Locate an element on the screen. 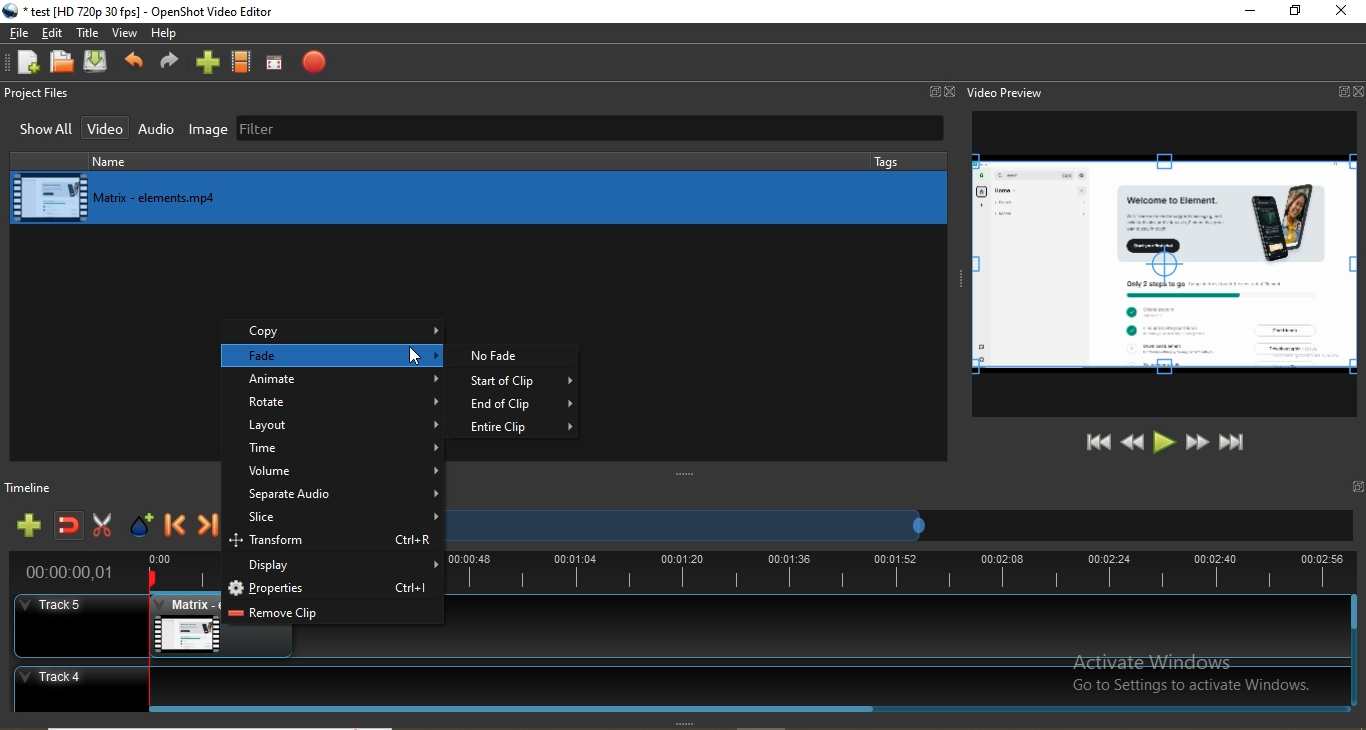  New project is located at coordinates (24, 62).